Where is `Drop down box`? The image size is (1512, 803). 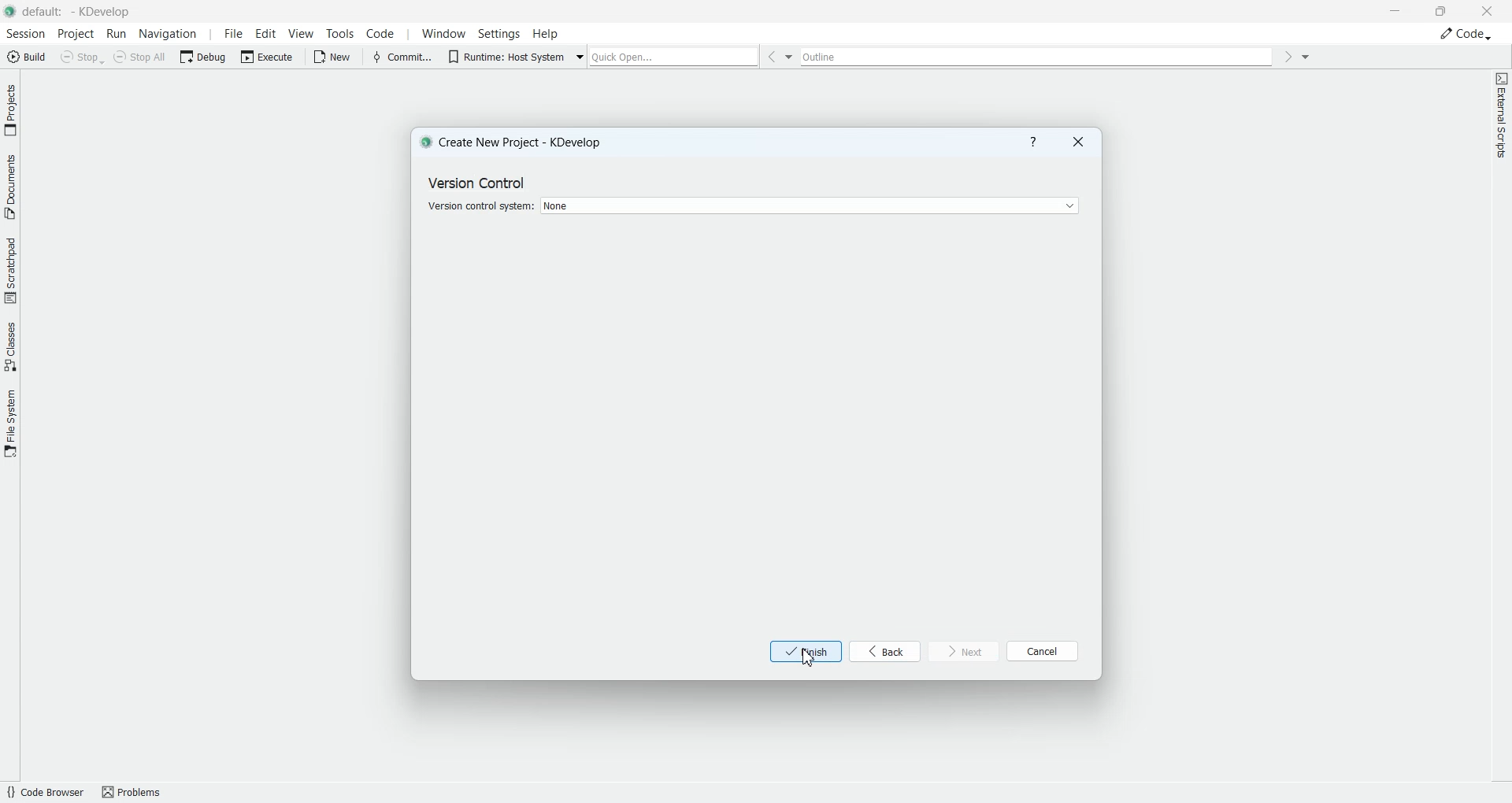
Drop down box is located at coordinates (1067, 206).